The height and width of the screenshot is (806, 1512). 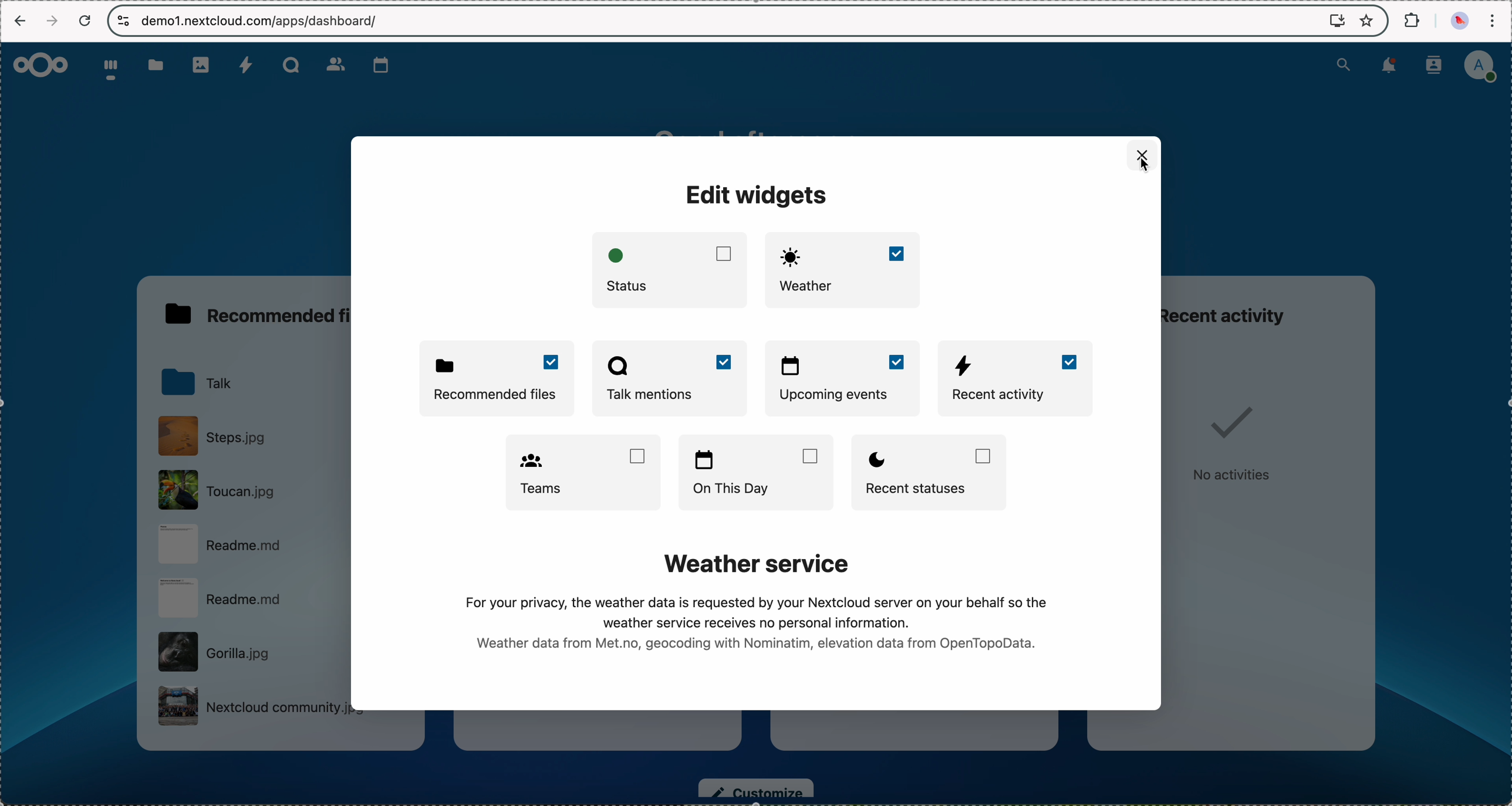 What do you see at coordinates (1018, 380) in the screenshot?
I see `enable recent activity` at bounding box center [1018, 380].